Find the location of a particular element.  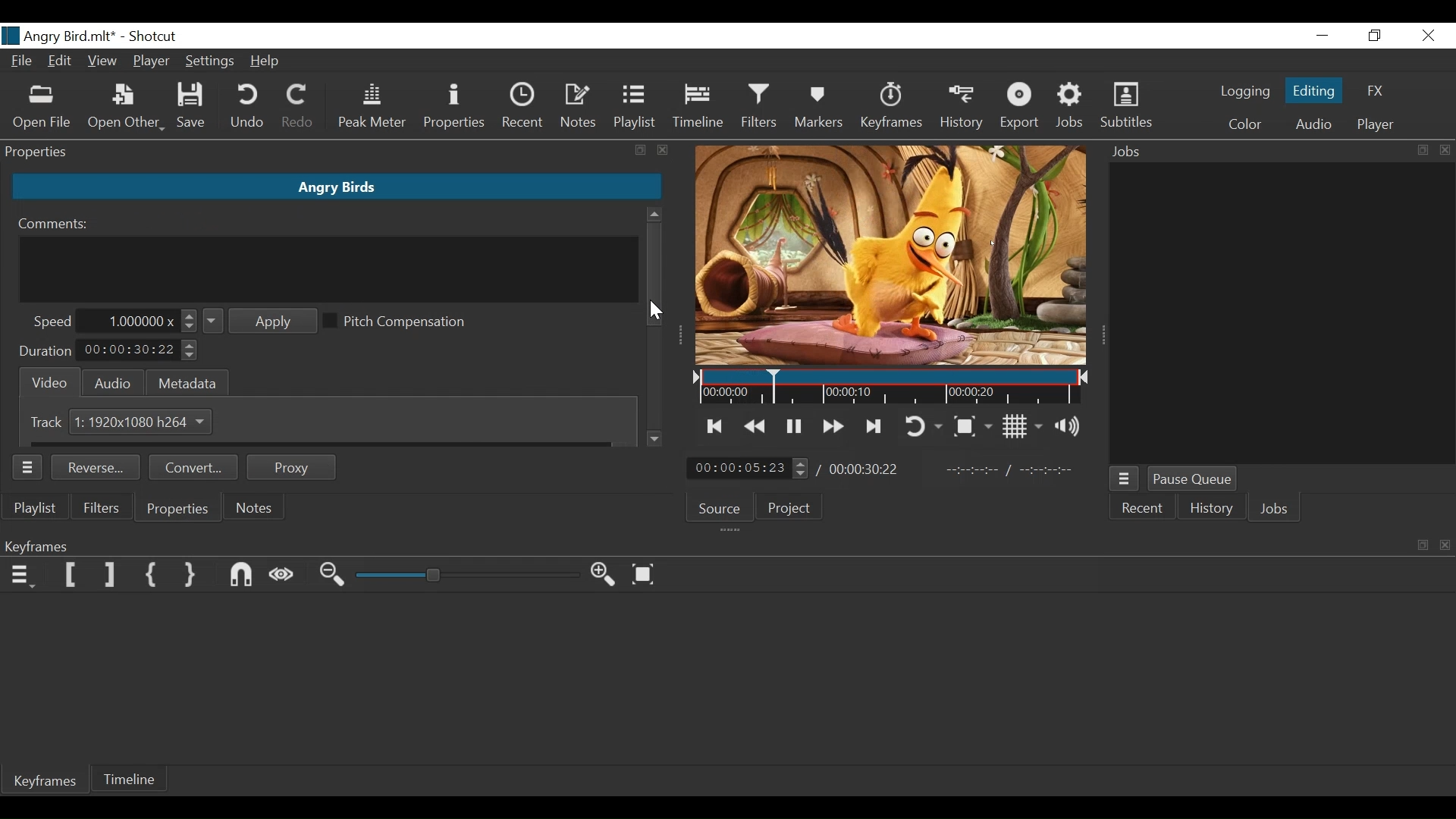

Set Filter last is located at coordinates (110, 576).